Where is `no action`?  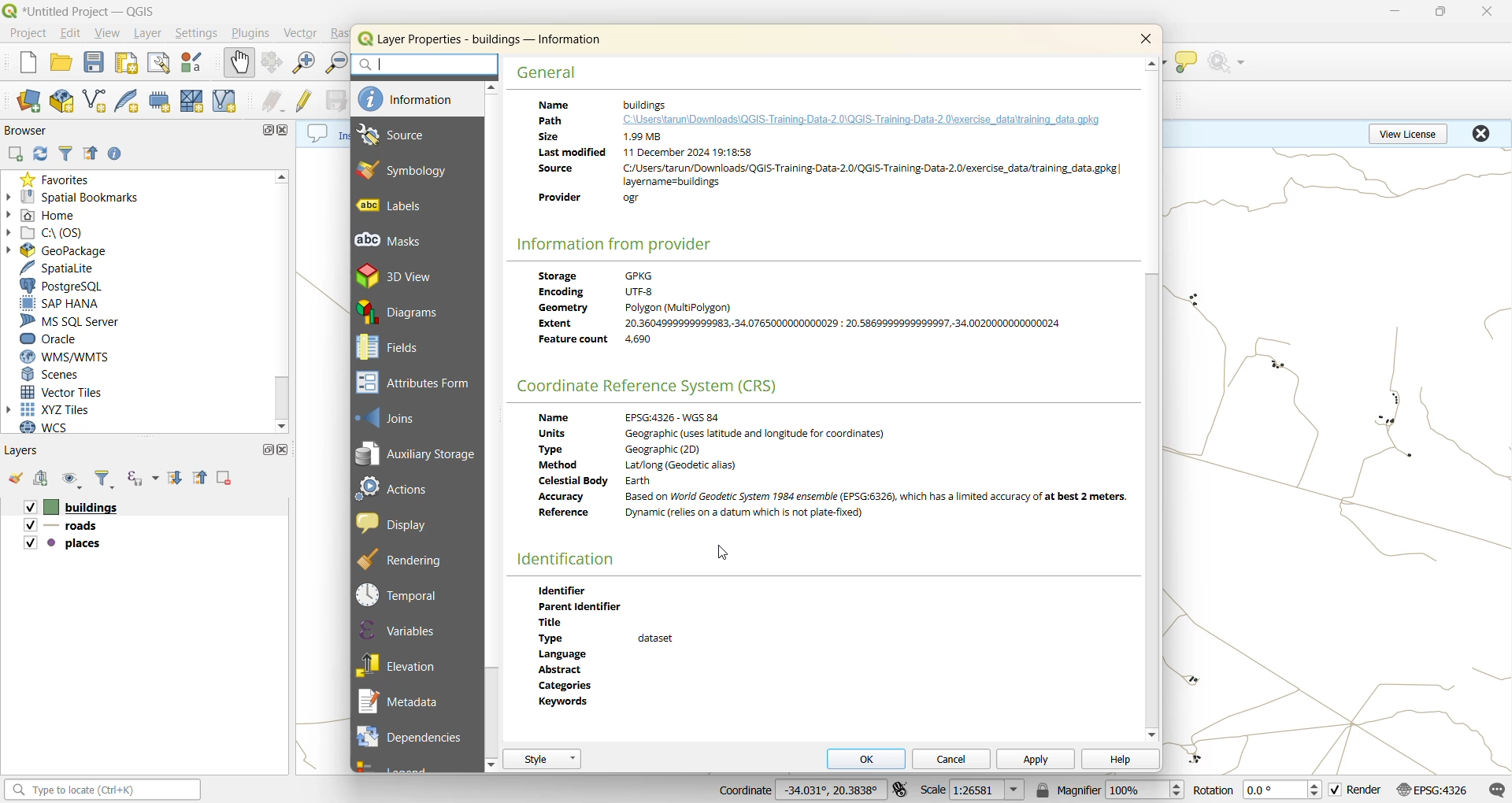 no action is located at coordinates (1231, 61).